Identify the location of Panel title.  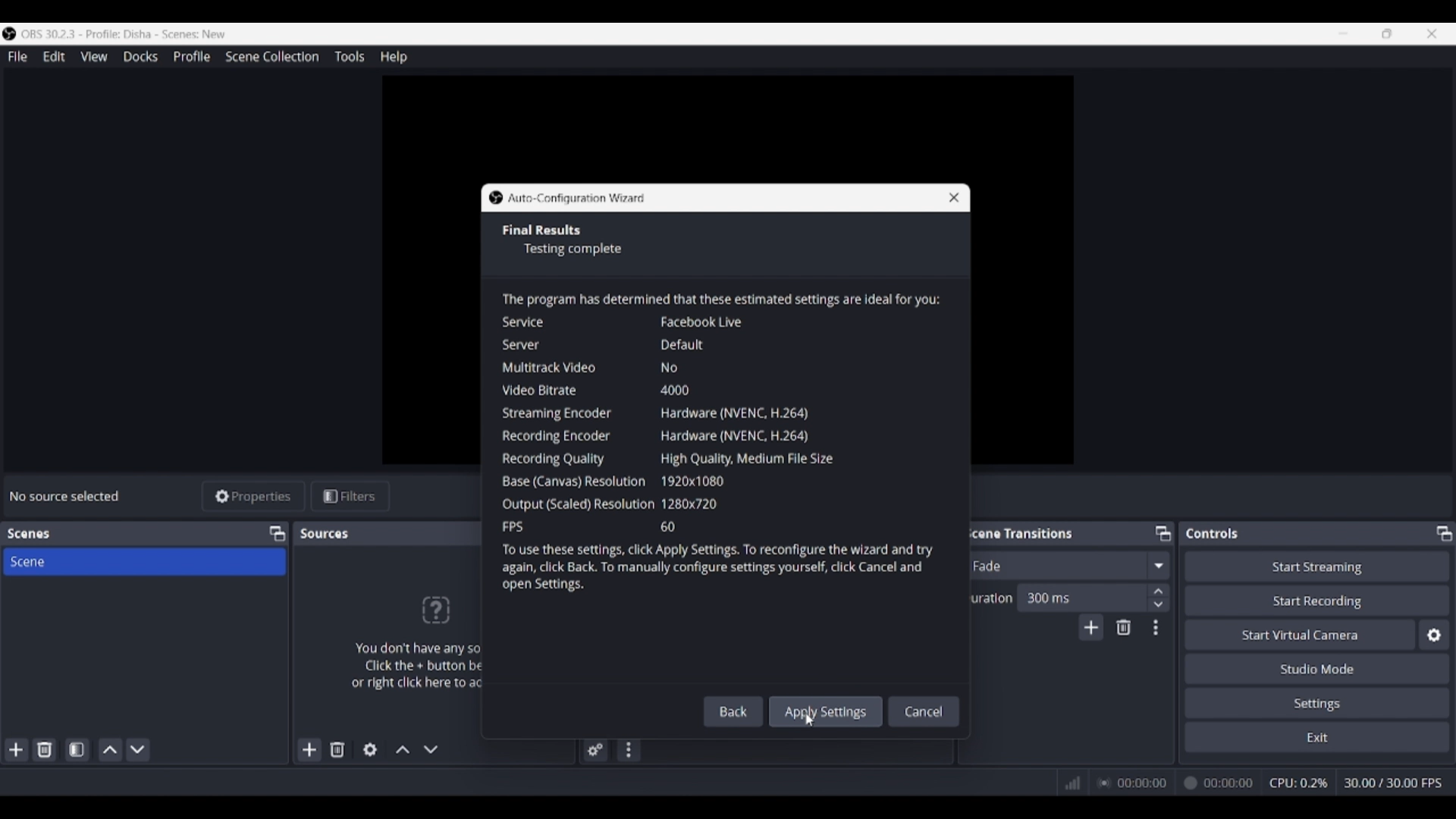
(326, 533).